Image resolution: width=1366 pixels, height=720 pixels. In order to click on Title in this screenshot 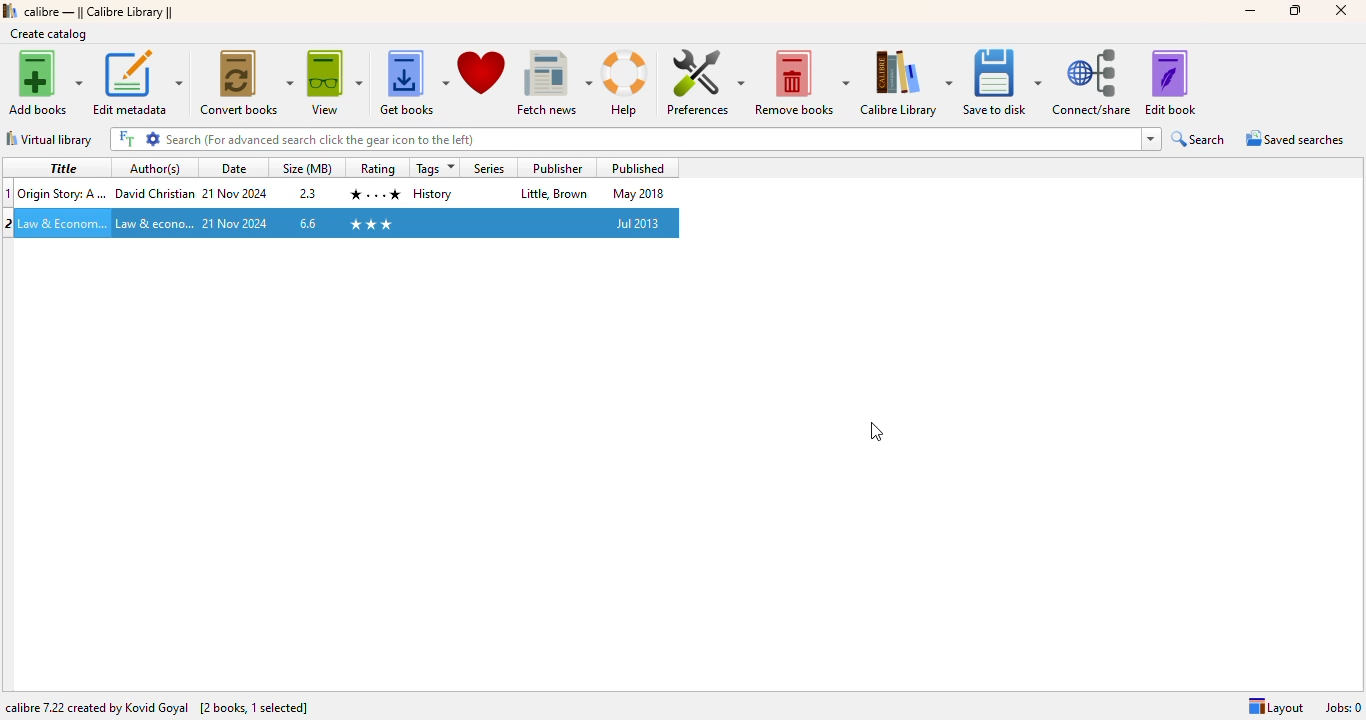, I will do `click(63, 222)`.